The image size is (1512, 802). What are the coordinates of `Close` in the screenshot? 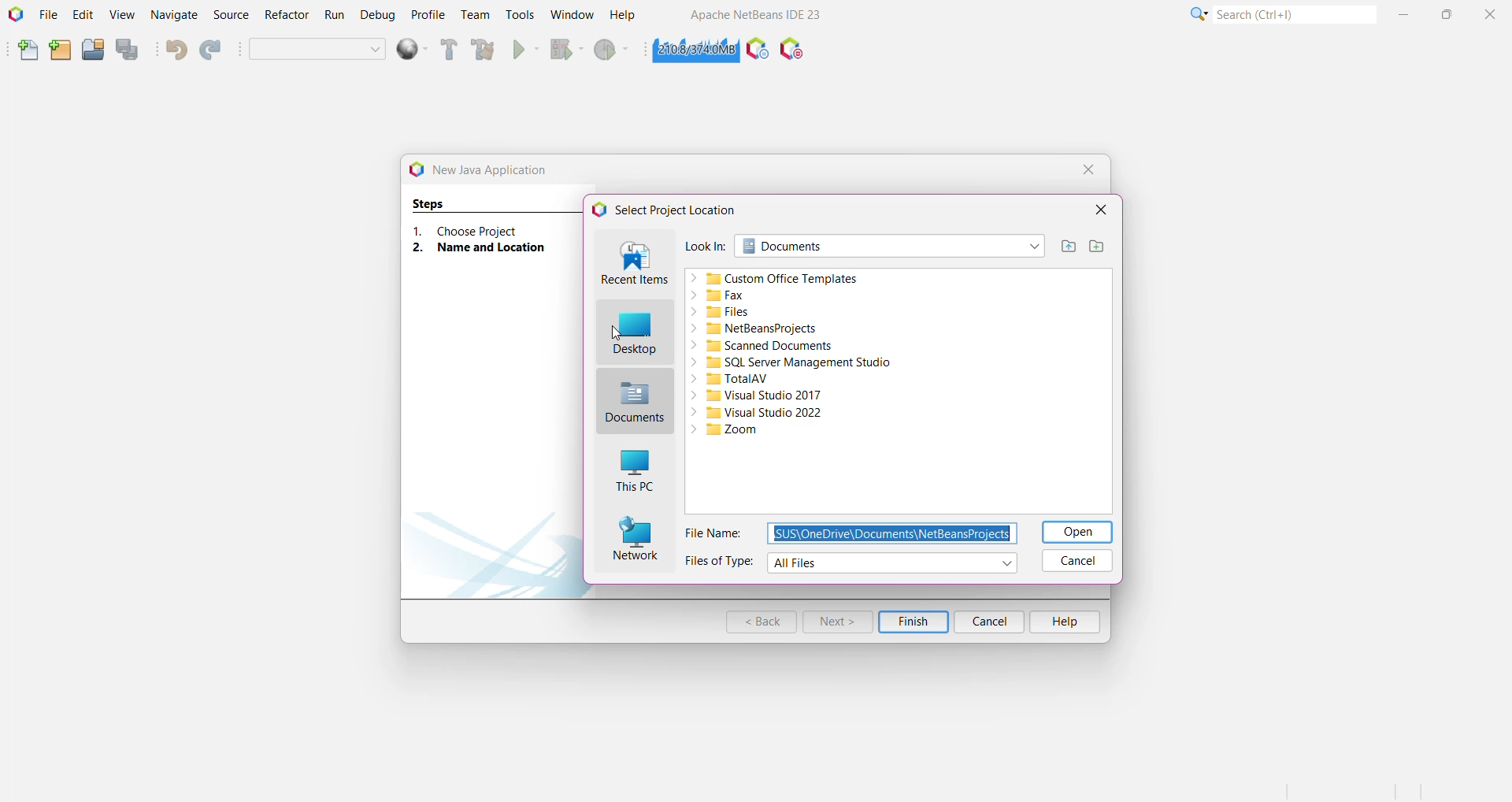 It's located at (1100, 210).